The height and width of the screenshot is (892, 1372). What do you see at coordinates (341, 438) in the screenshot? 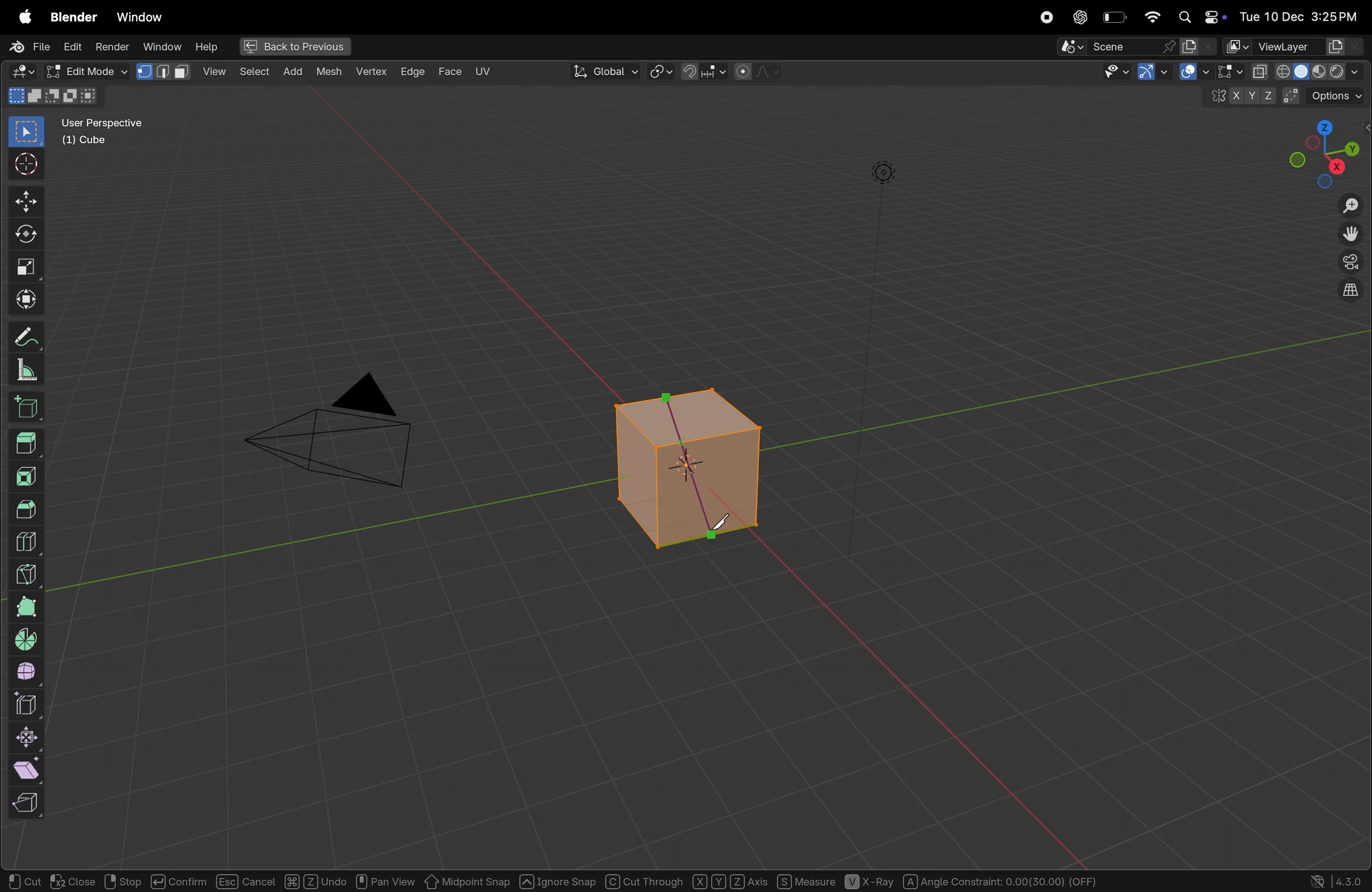
I see `camera` at bounding box center [341, 438].